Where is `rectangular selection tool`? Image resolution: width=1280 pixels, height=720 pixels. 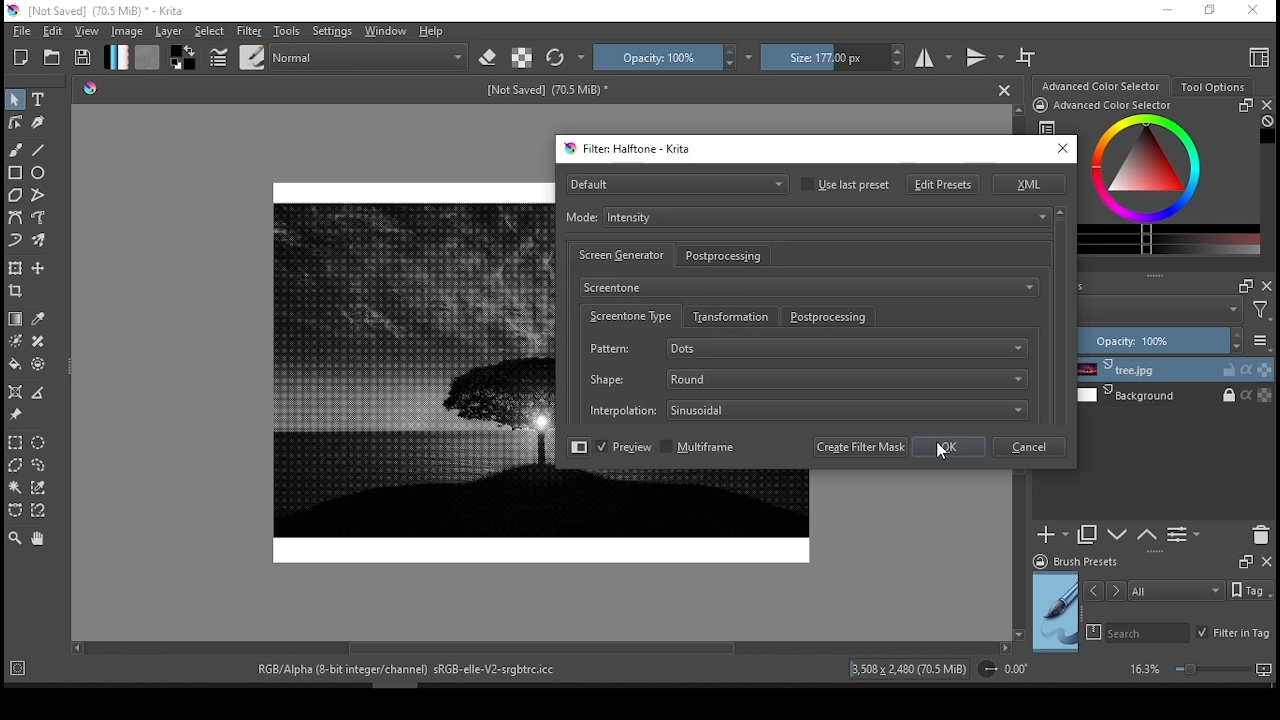 rectangular selection tool is located at coordinates (16, 443).